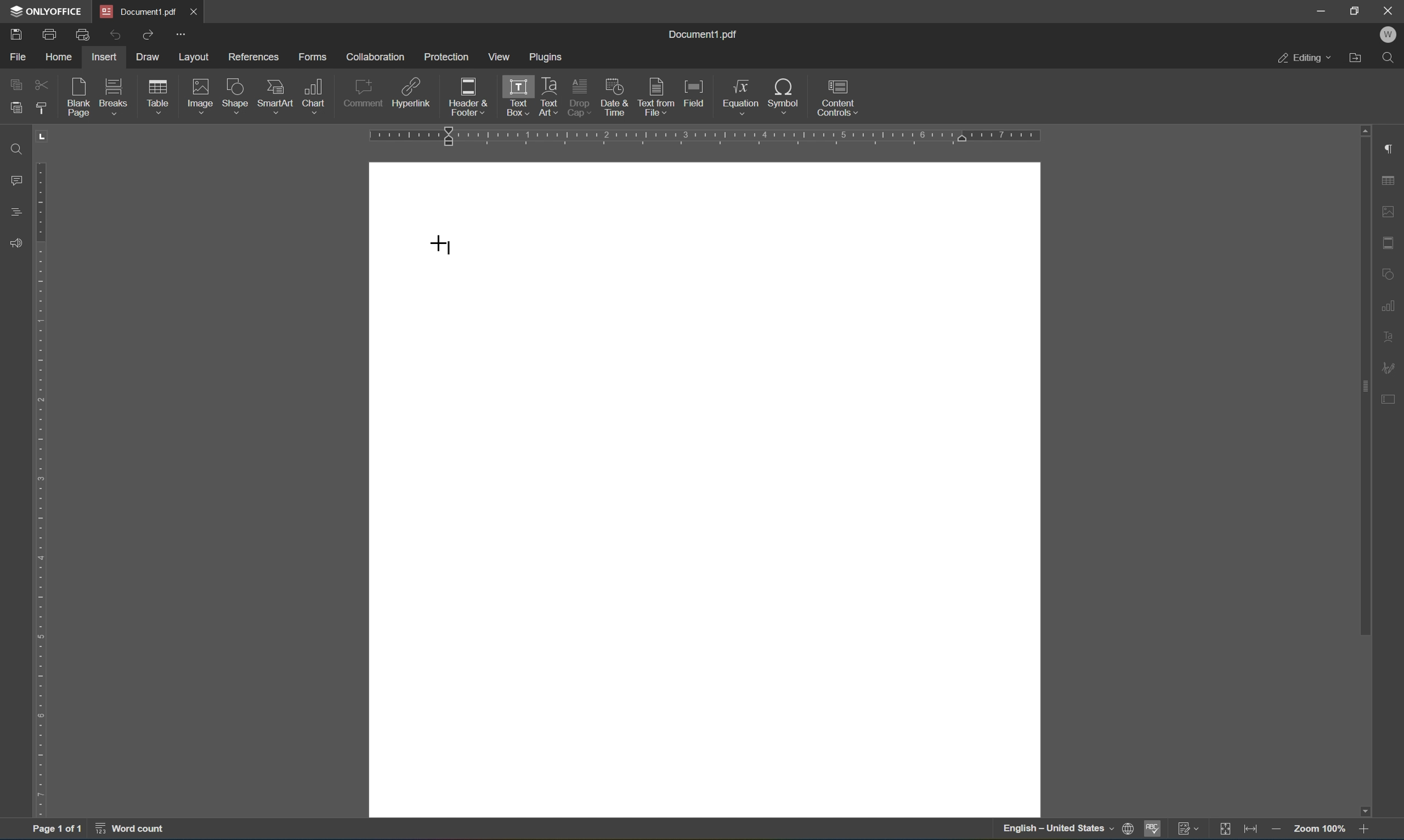  What do you see at coordinates (145, 34) in the screenshot?
I see `Redo` at bounding box center [145, 34].